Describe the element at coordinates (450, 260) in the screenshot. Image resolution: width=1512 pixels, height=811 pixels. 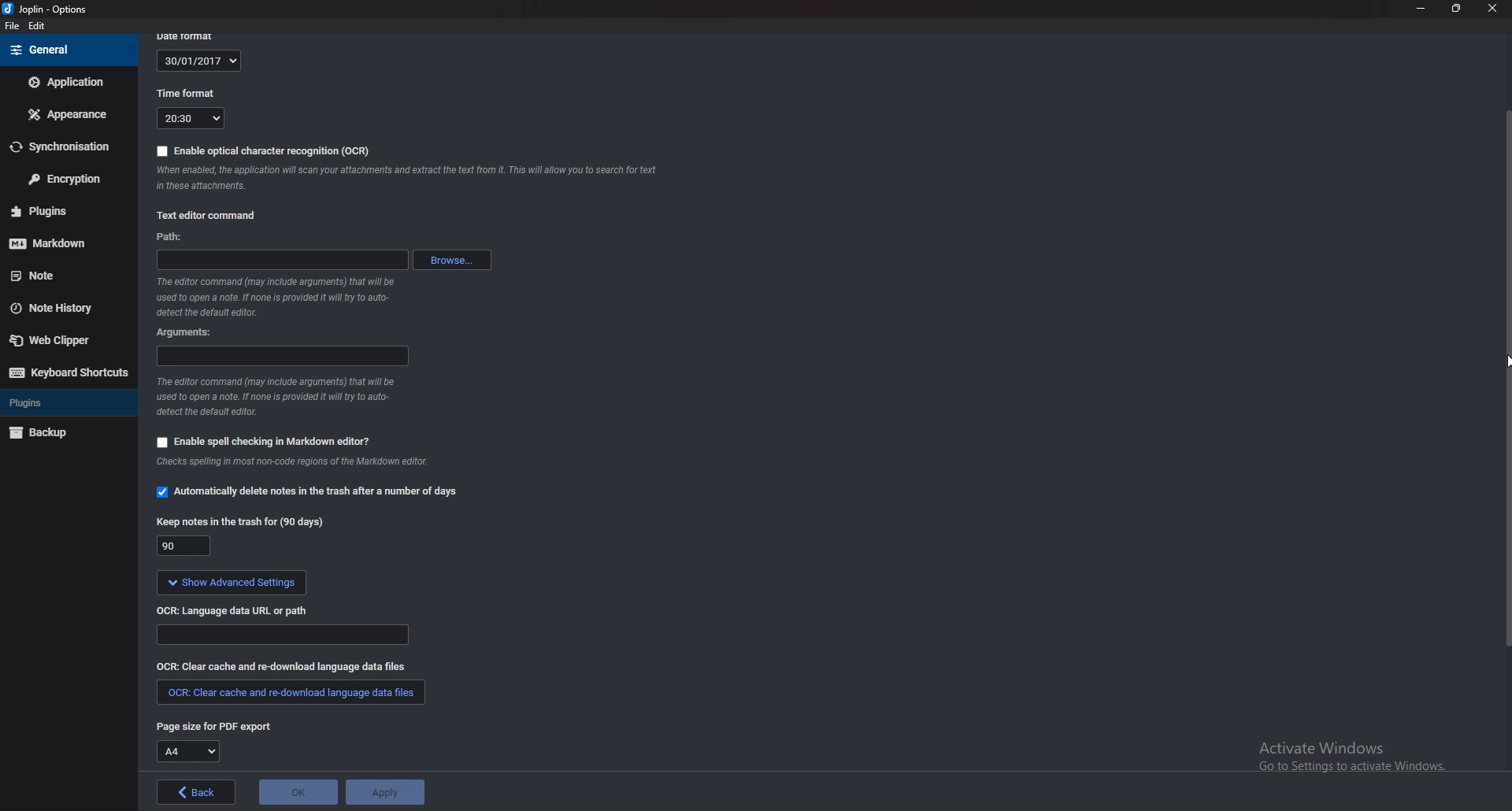
I see `browse` at that location.